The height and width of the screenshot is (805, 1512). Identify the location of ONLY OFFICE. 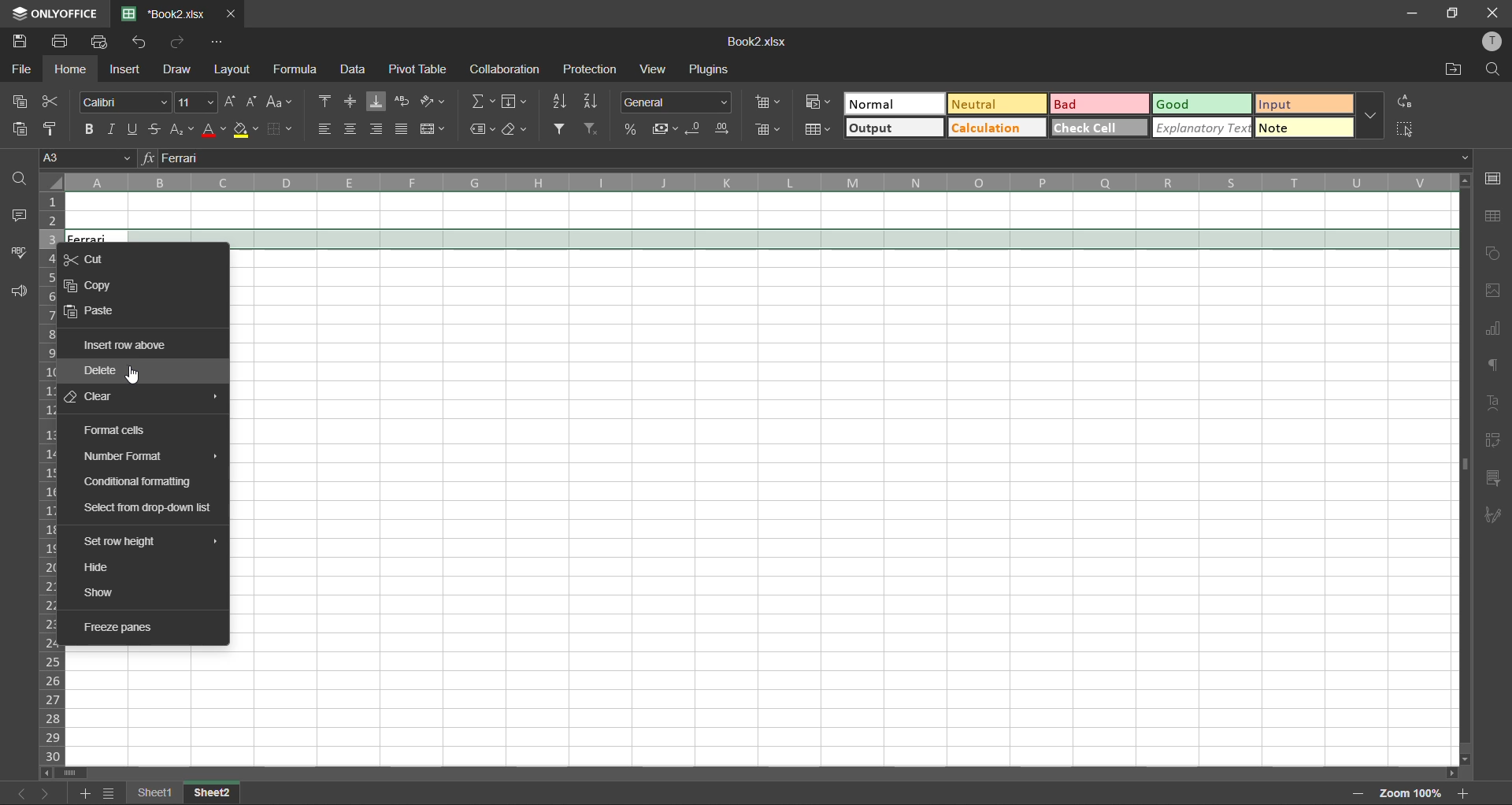
(54, 13).